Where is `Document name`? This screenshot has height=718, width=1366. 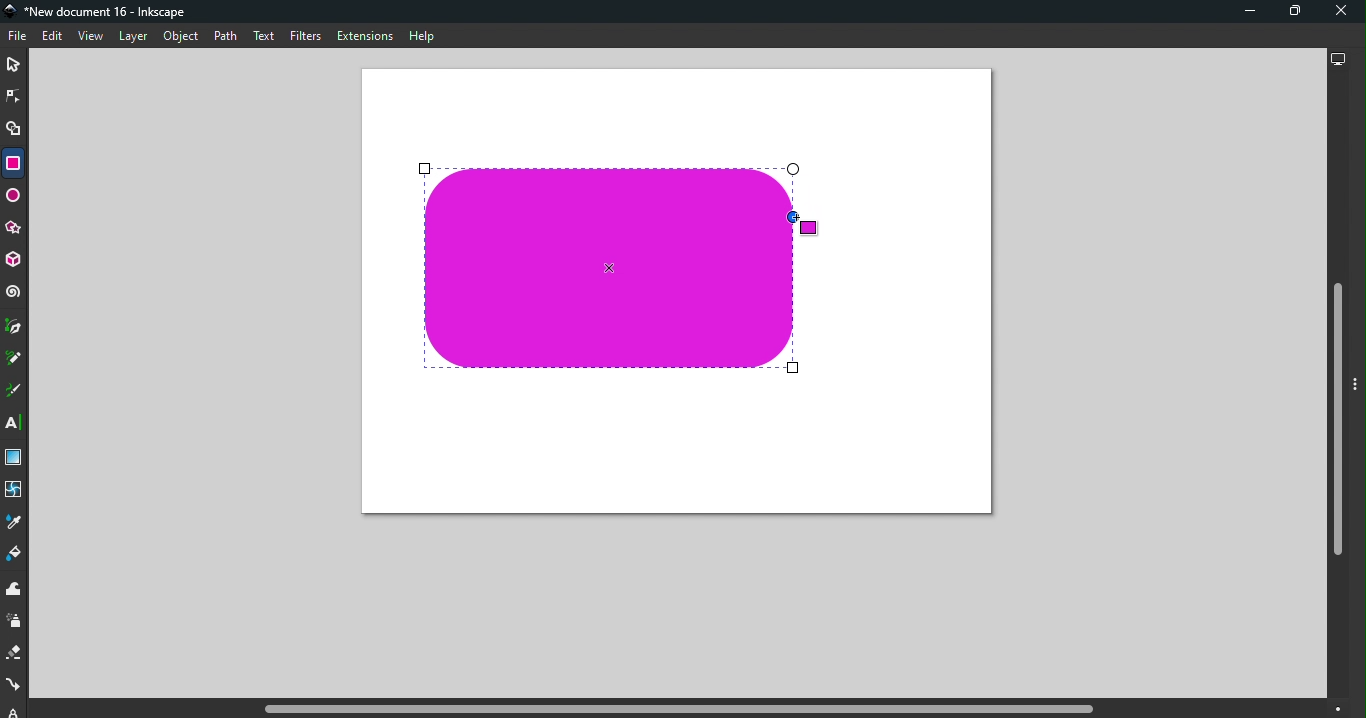
Document name is located at coordinates (100, 12).